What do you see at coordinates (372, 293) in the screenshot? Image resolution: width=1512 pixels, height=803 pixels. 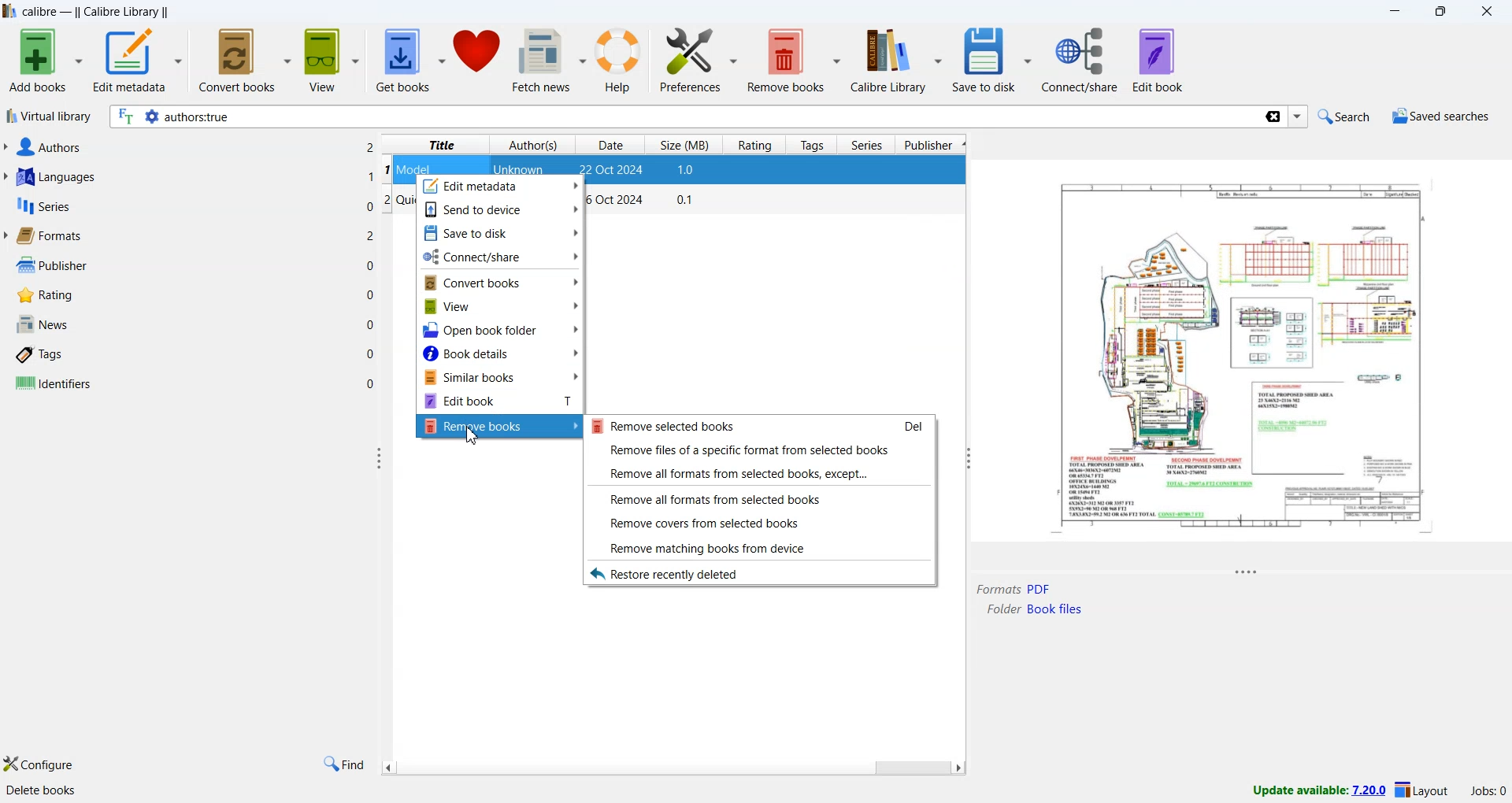 I see `0` at bounding box center [372, 293].